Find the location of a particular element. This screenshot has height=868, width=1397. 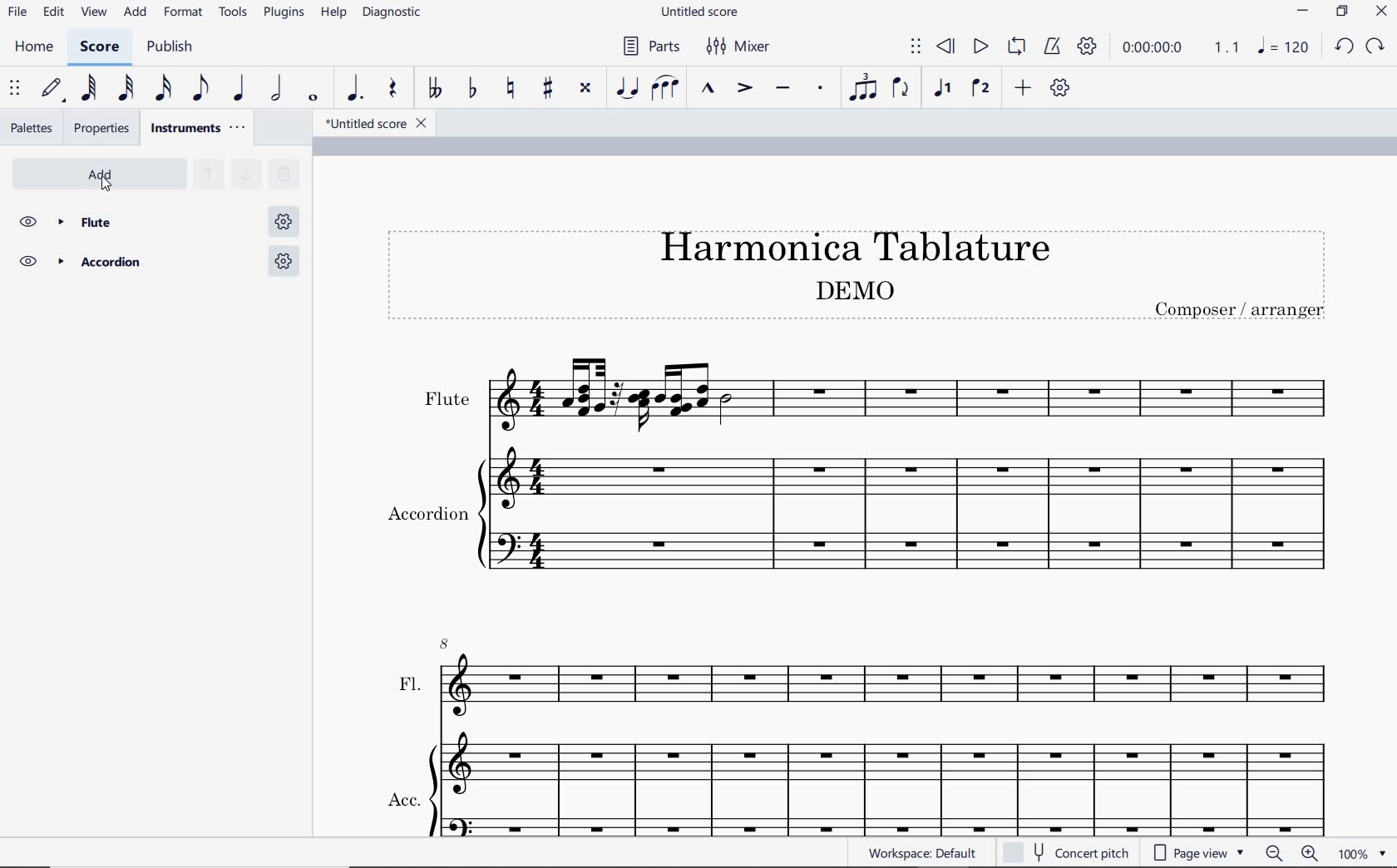

slur is located at coordinates (668, 89).